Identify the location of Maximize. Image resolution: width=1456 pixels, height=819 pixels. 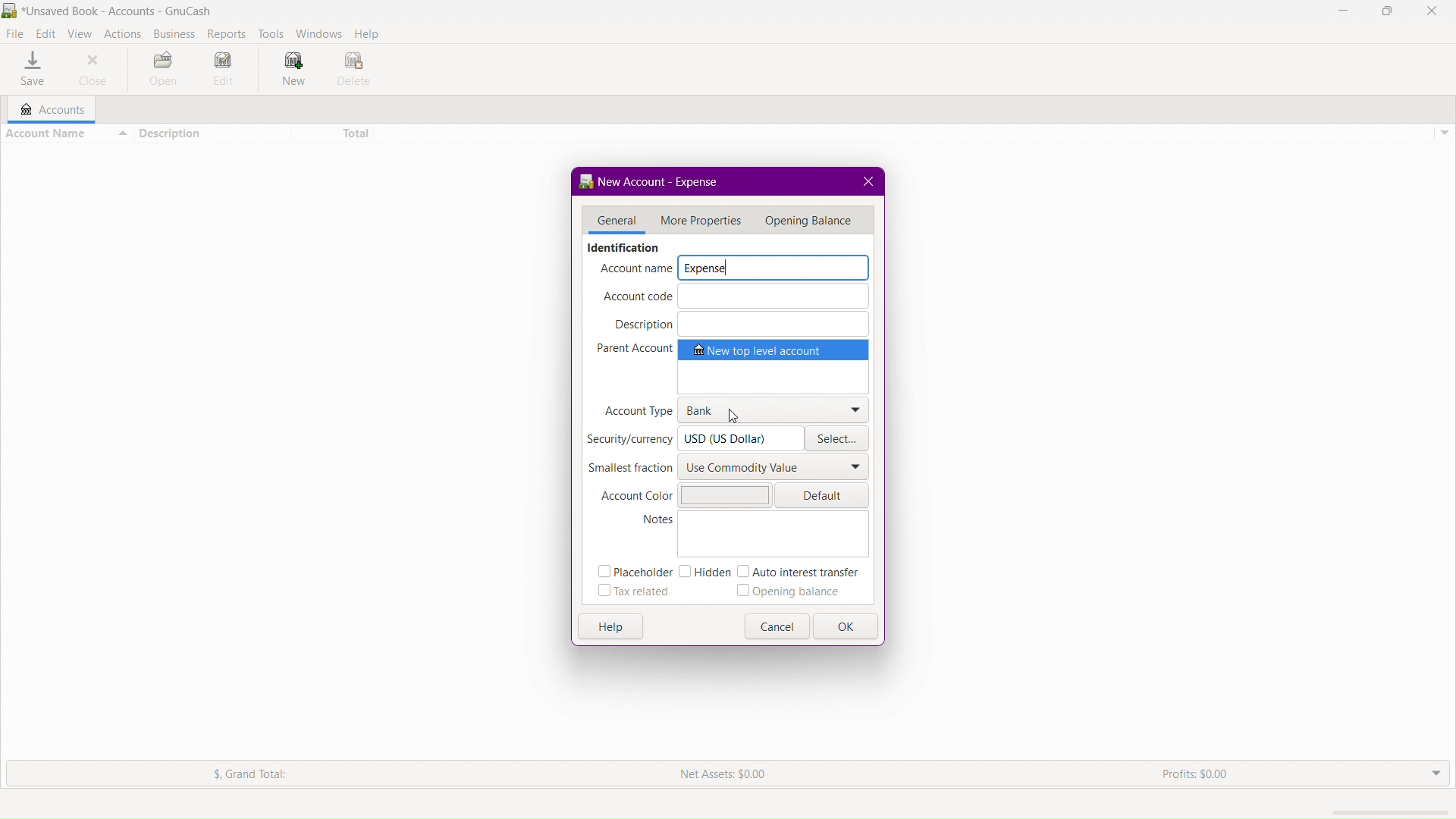
(1386, 11).